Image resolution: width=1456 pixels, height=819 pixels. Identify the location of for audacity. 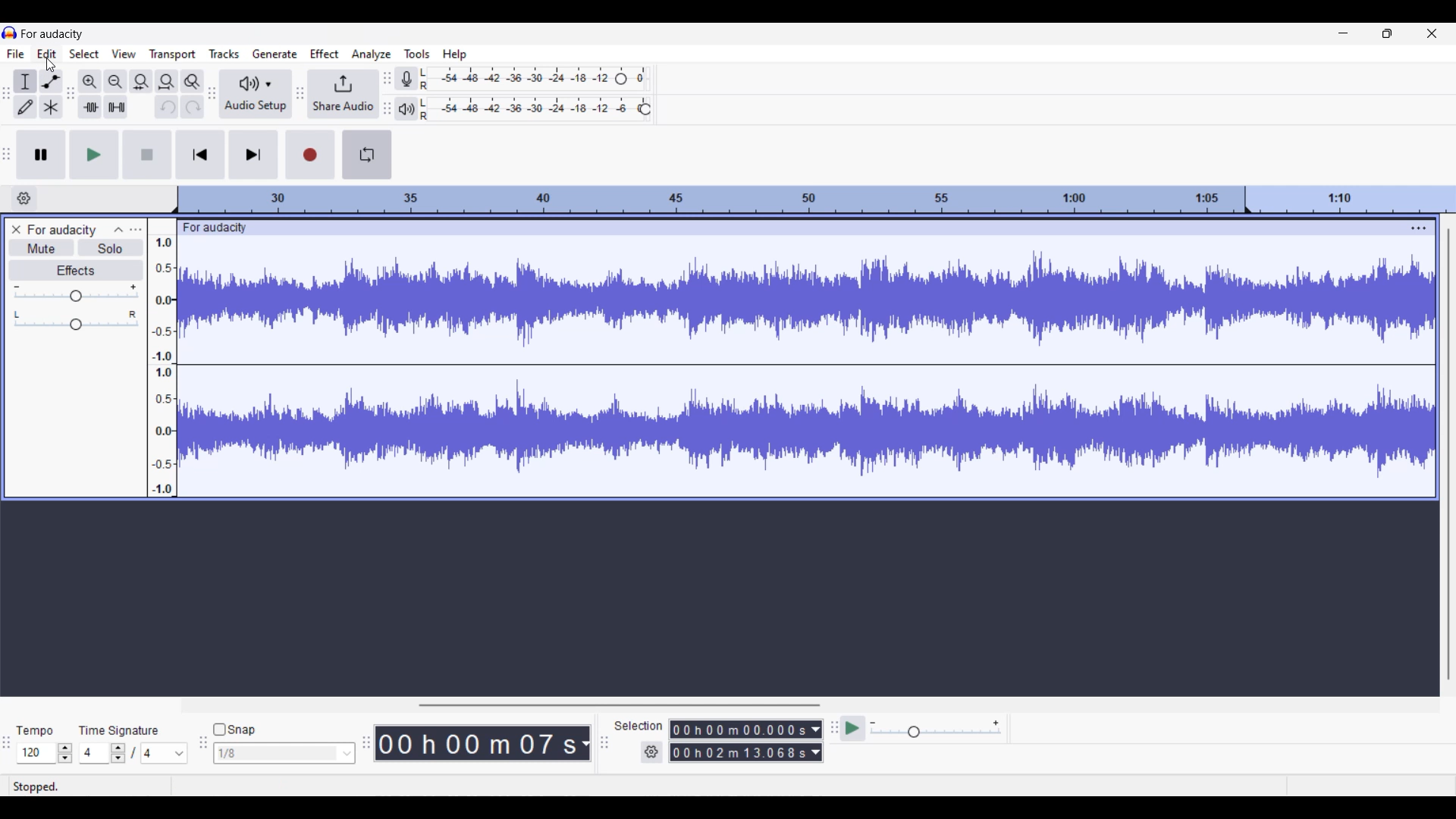
(227, 227).